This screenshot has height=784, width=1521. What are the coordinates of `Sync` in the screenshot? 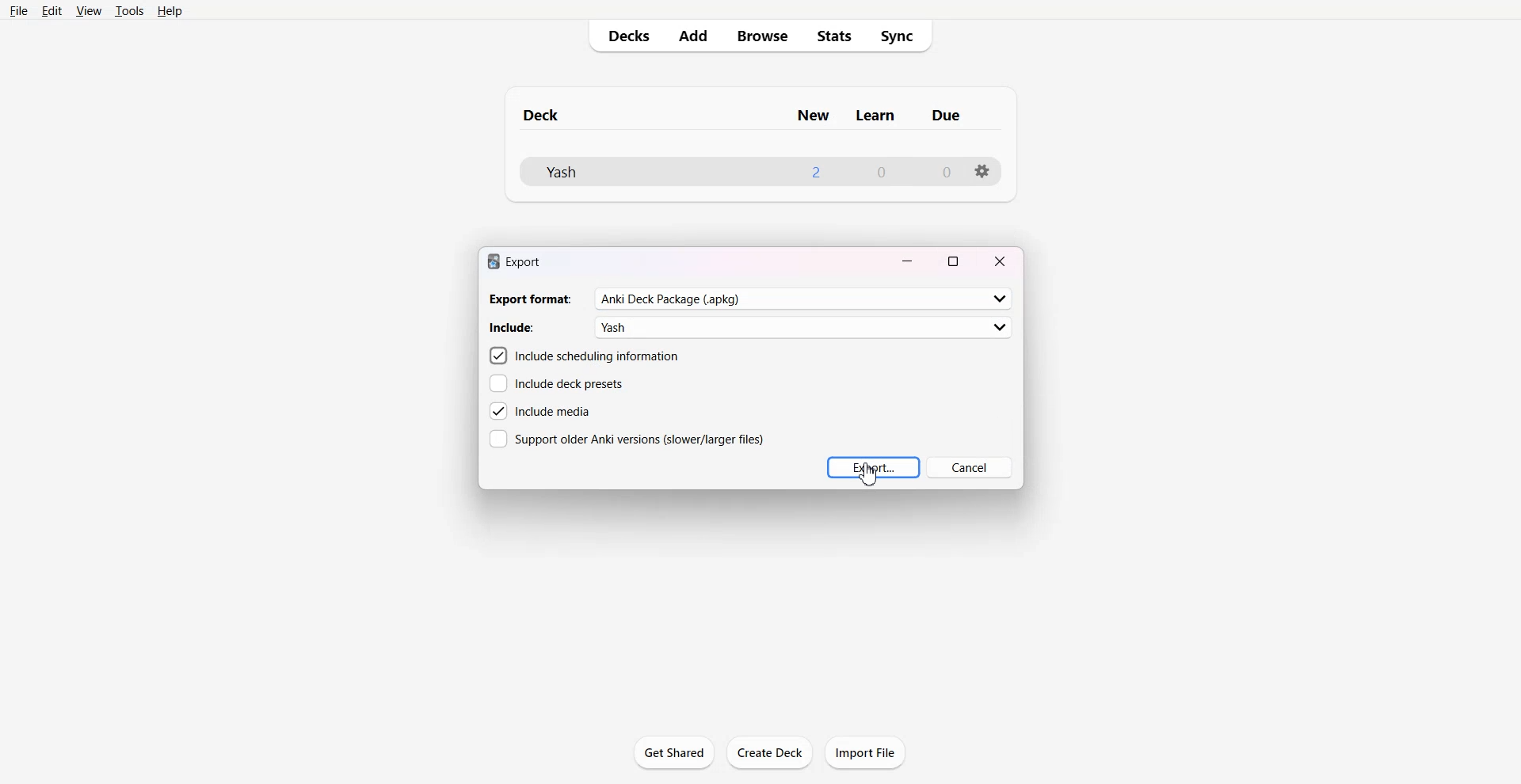 It's located at (902, 36).